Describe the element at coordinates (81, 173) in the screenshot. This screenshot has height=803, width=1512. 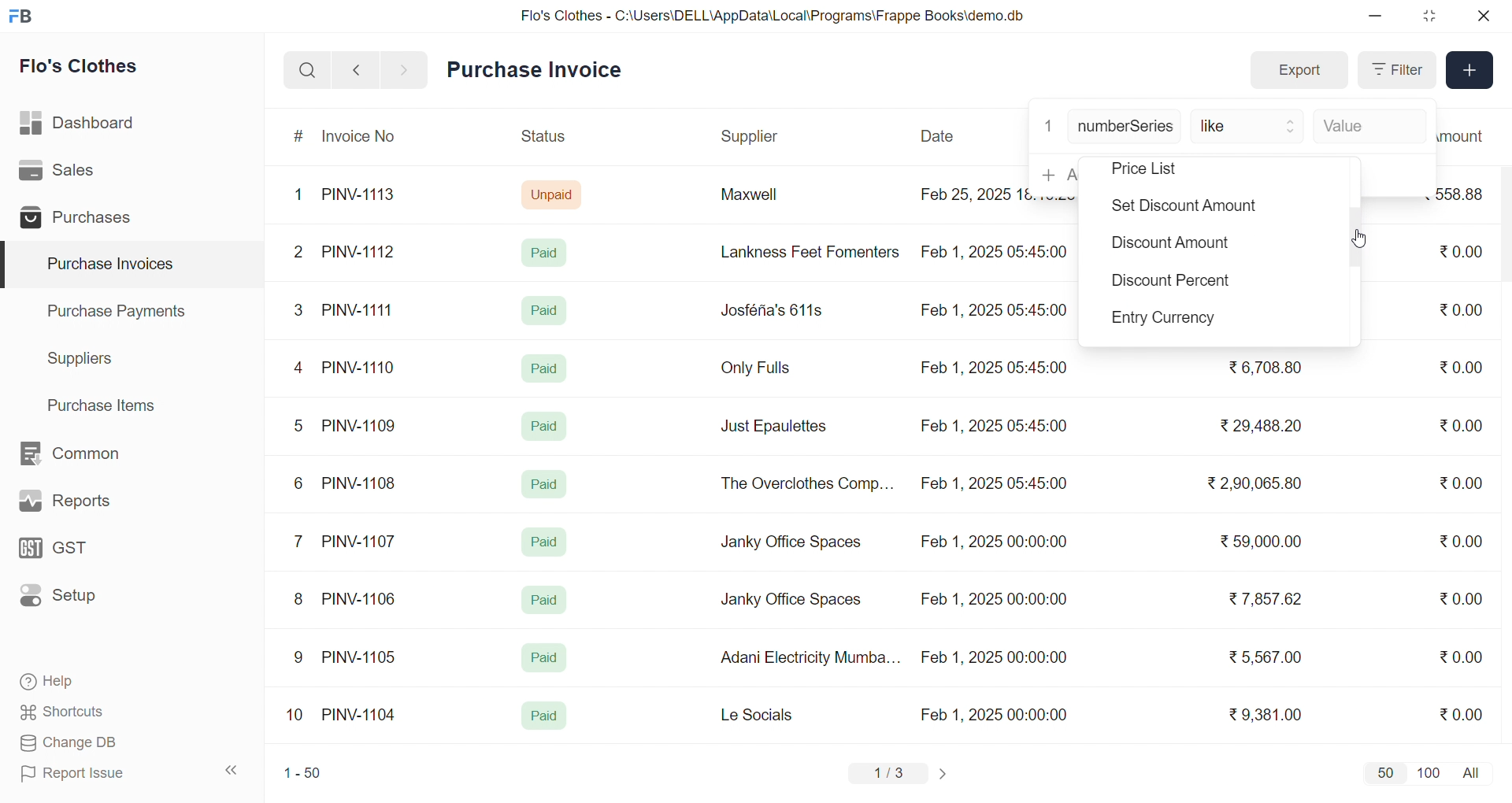
I see `Sales` at that location.